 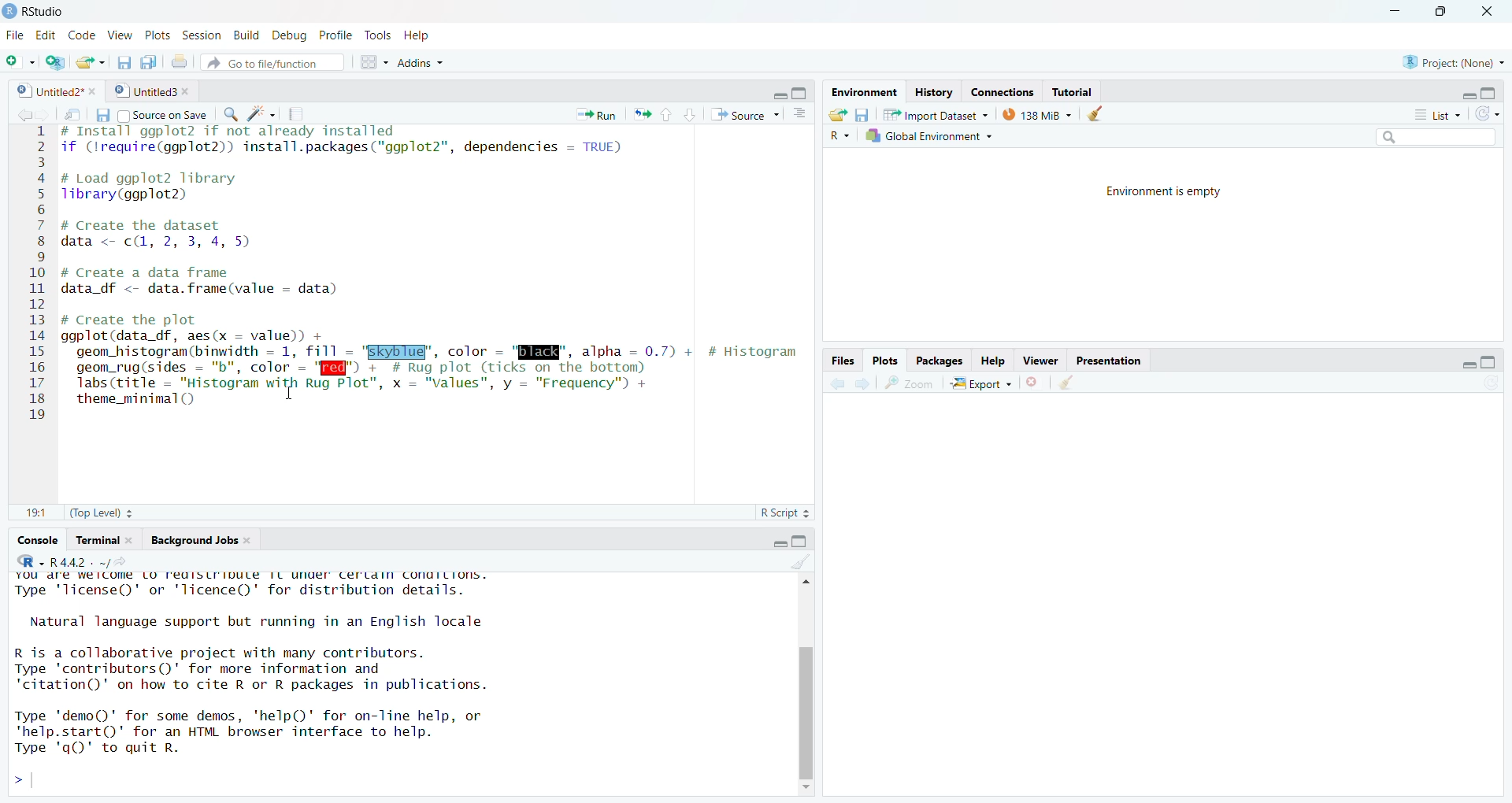 I want to click on (Top Level) +, so click(x=108, y=512).